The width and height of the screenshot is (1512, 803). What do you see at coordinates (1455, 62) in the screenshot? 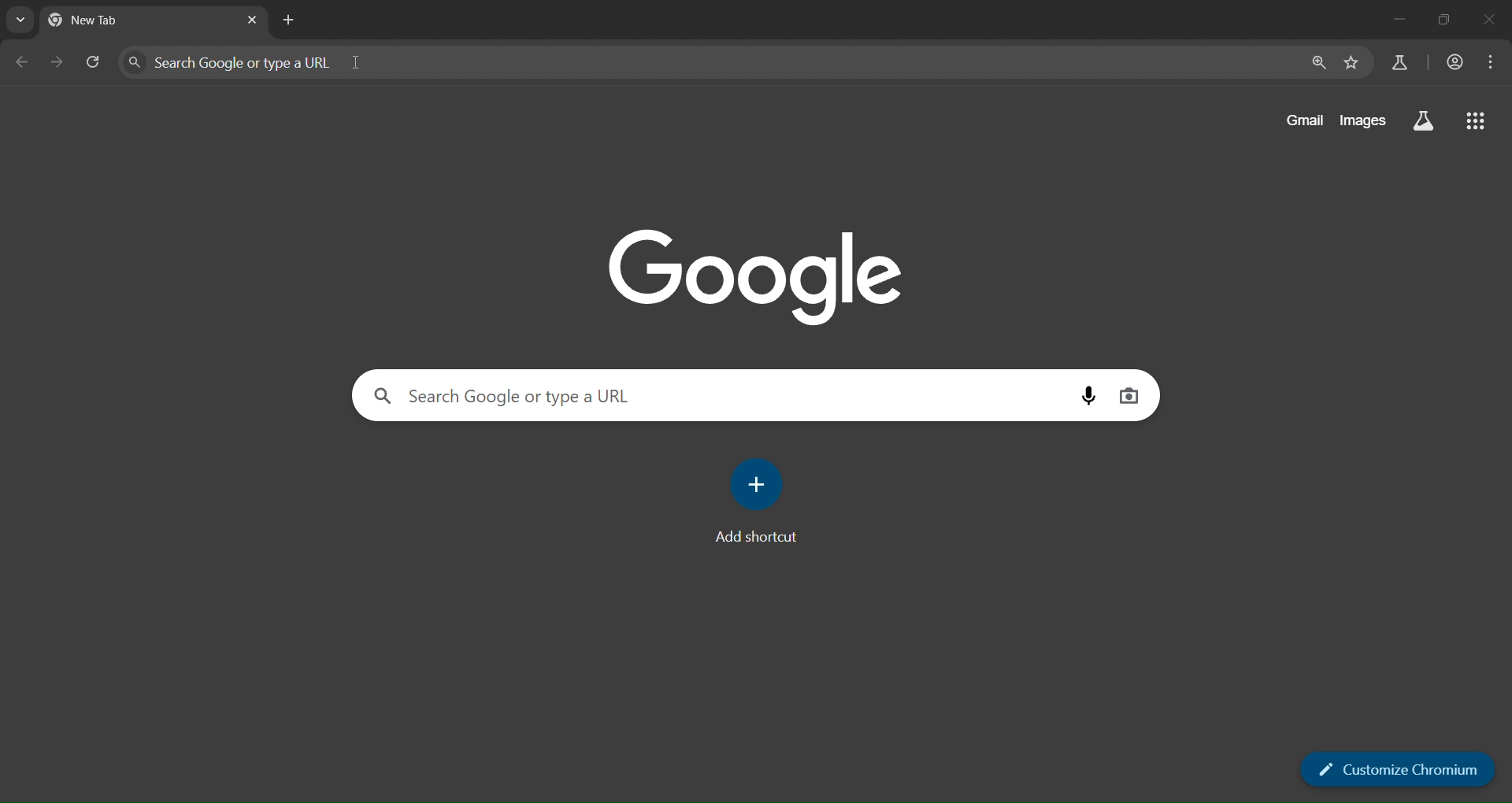
I see `accounts` at bounding box center [1455, 62].